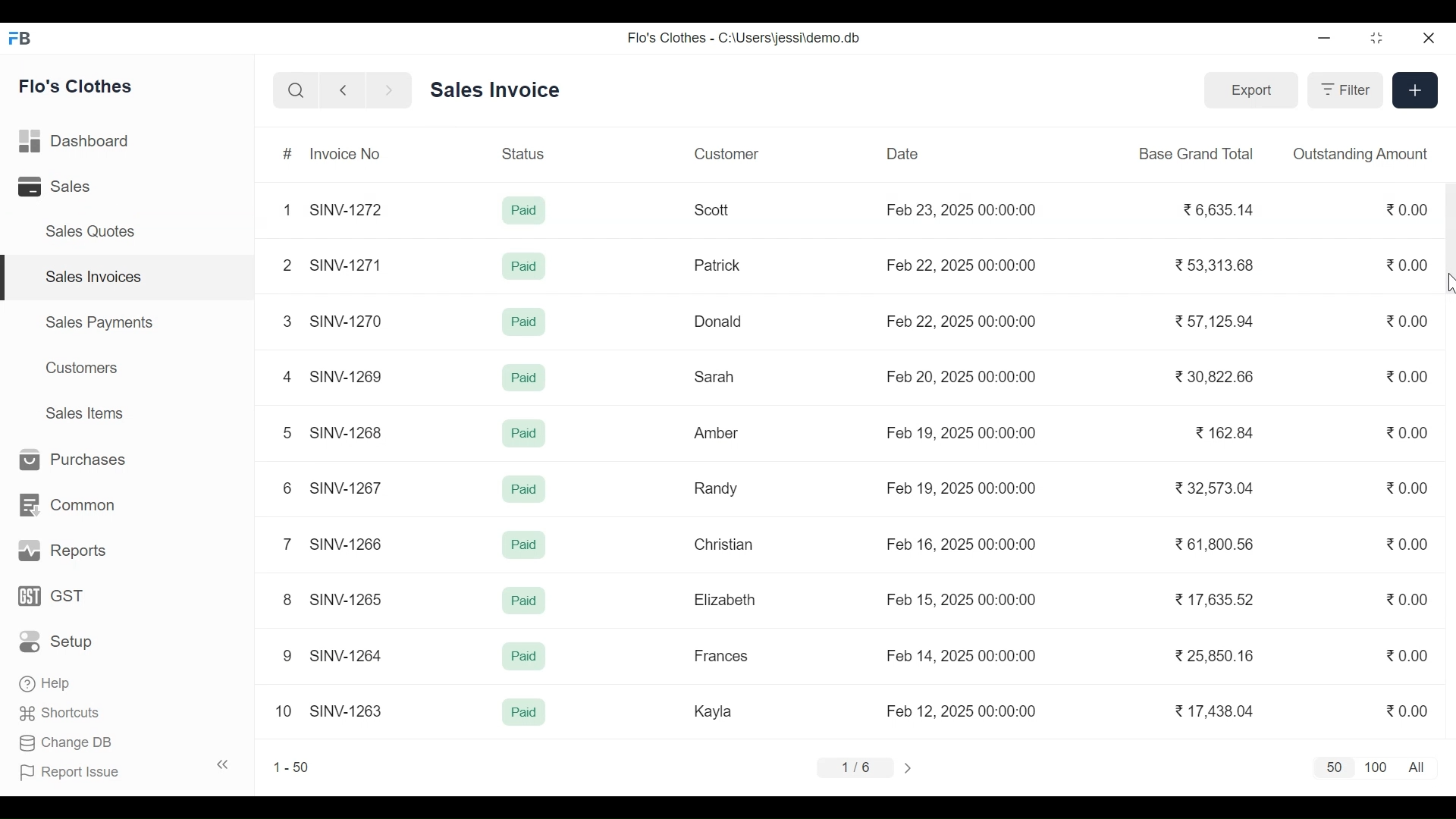  Describe the element at coordinates (1360, 153) in the screenshot. I see `Outstanding Amount` at that location.